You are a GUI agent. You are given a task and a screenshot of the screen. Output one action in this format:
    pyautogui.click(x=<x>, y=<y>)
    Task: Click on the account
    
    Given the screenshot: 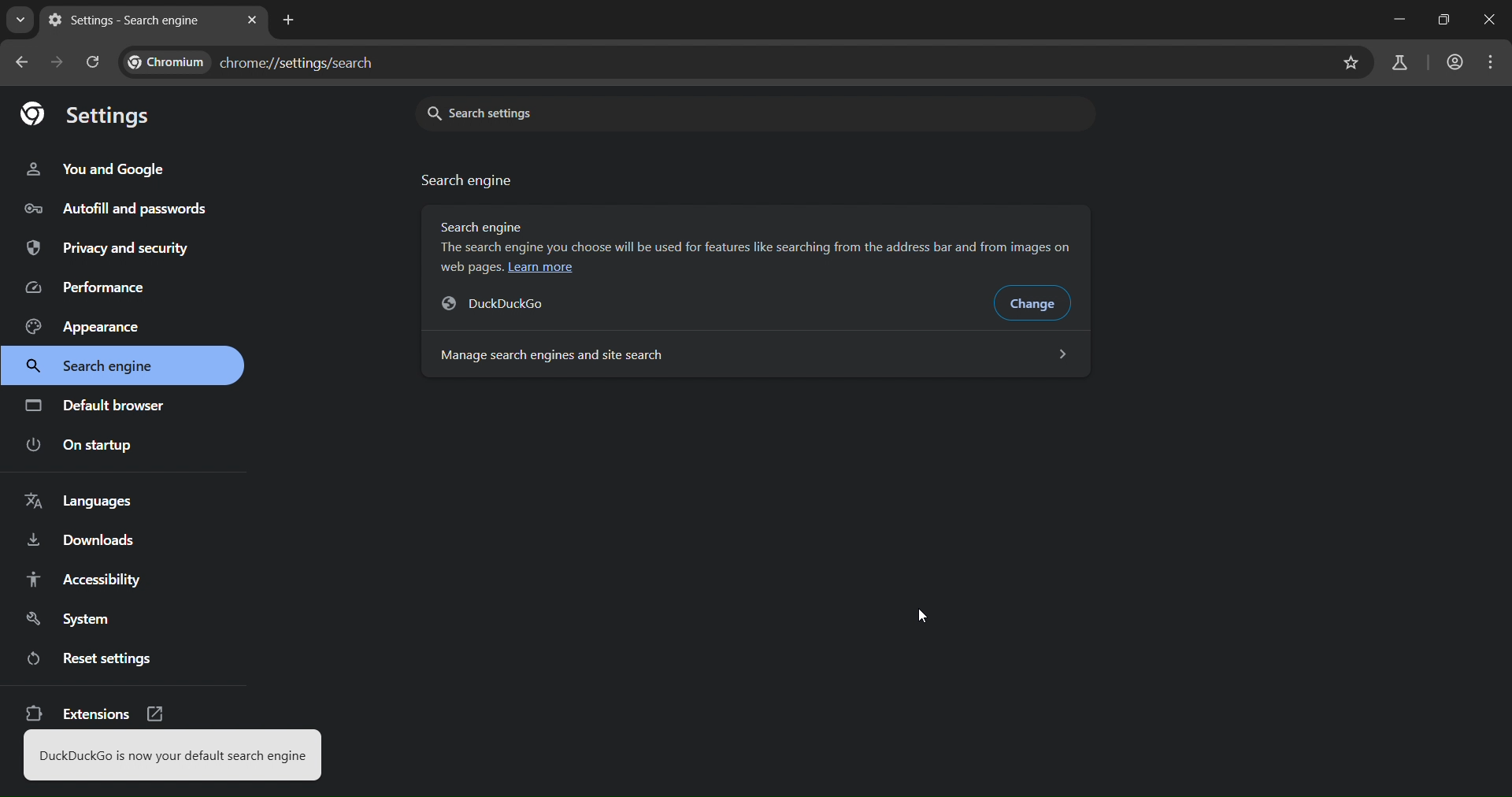 What is the action you would take?
    pyautogui.click(x=1455, y=65)
    